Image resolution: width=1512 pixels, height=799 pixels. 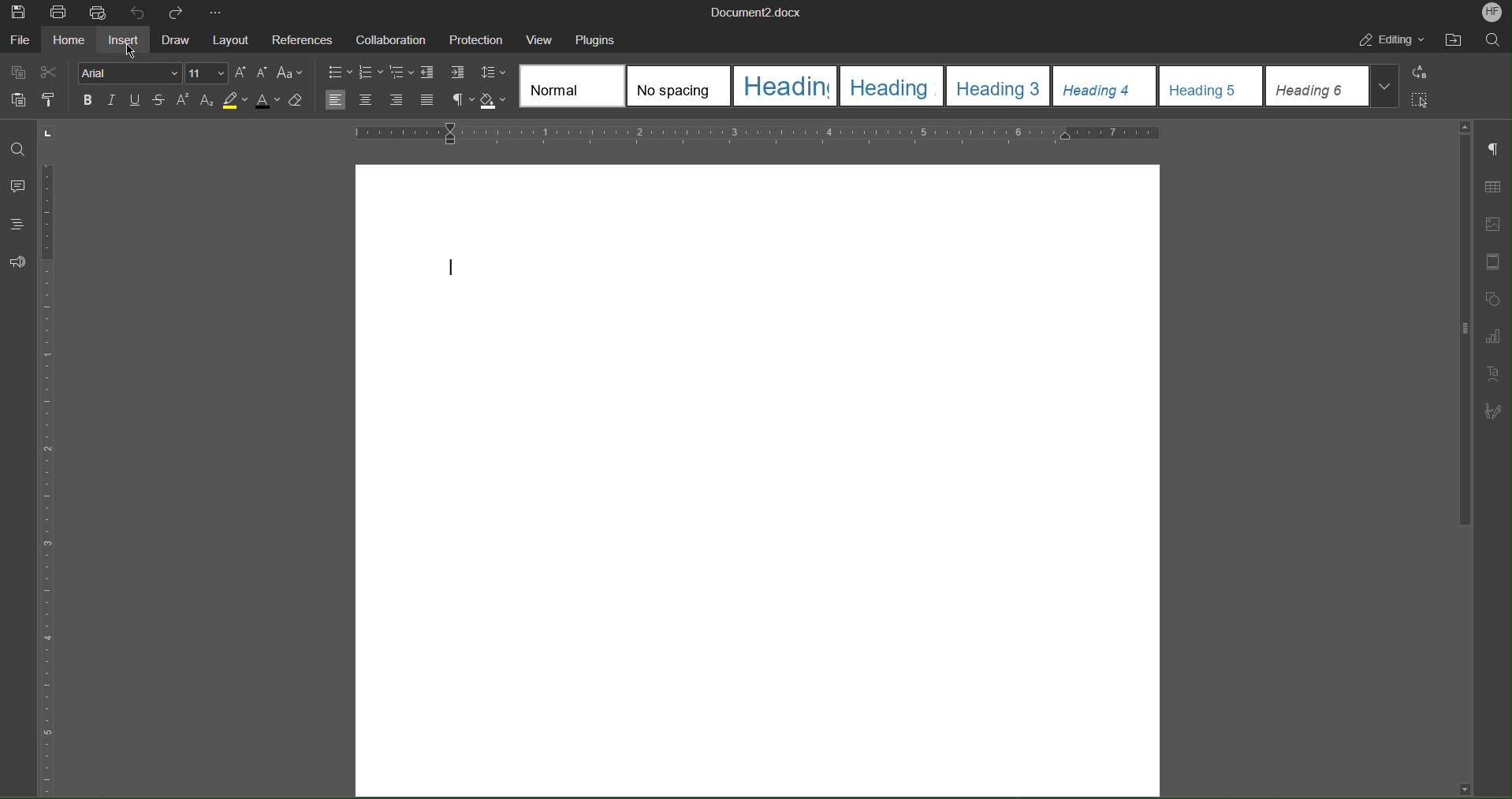 What do you see at coordinates (1492, 336) in the screenshot?
I see `Graph` at bounding box center [1492, 336].